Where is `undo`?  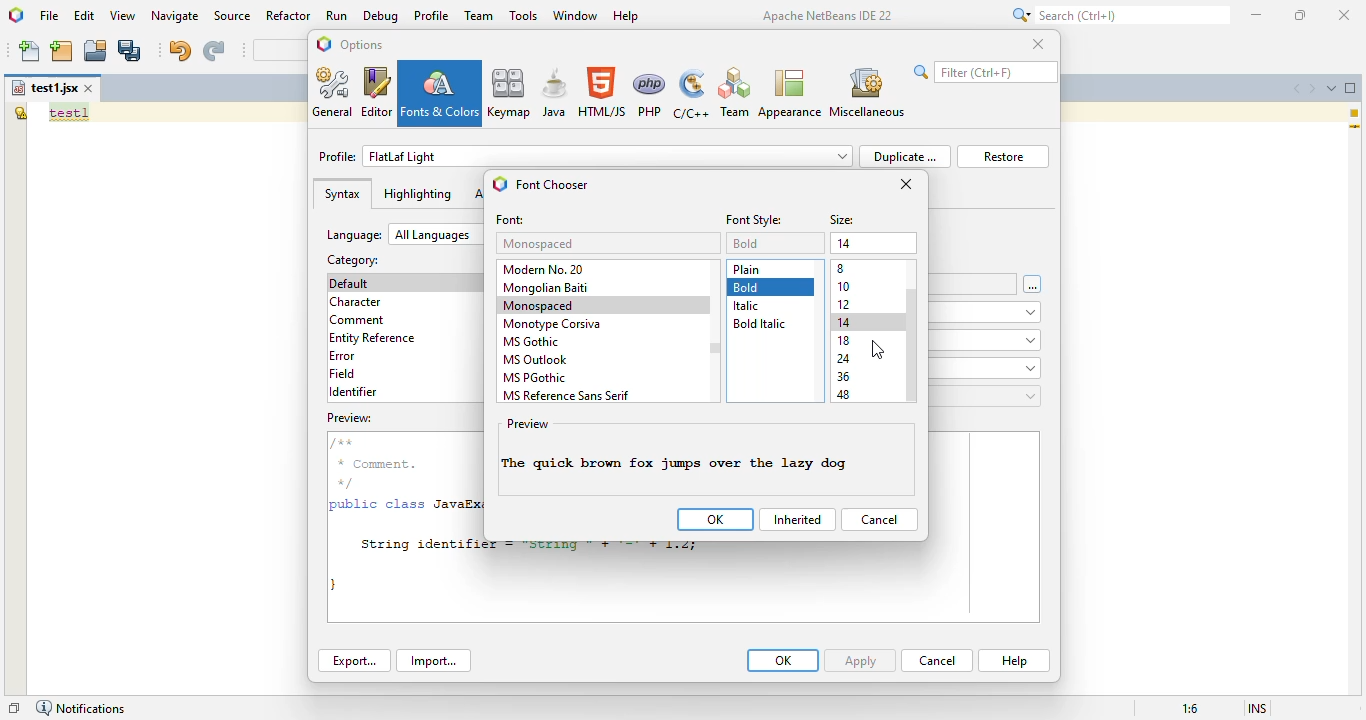 undo is located at coordinates (179, 50).